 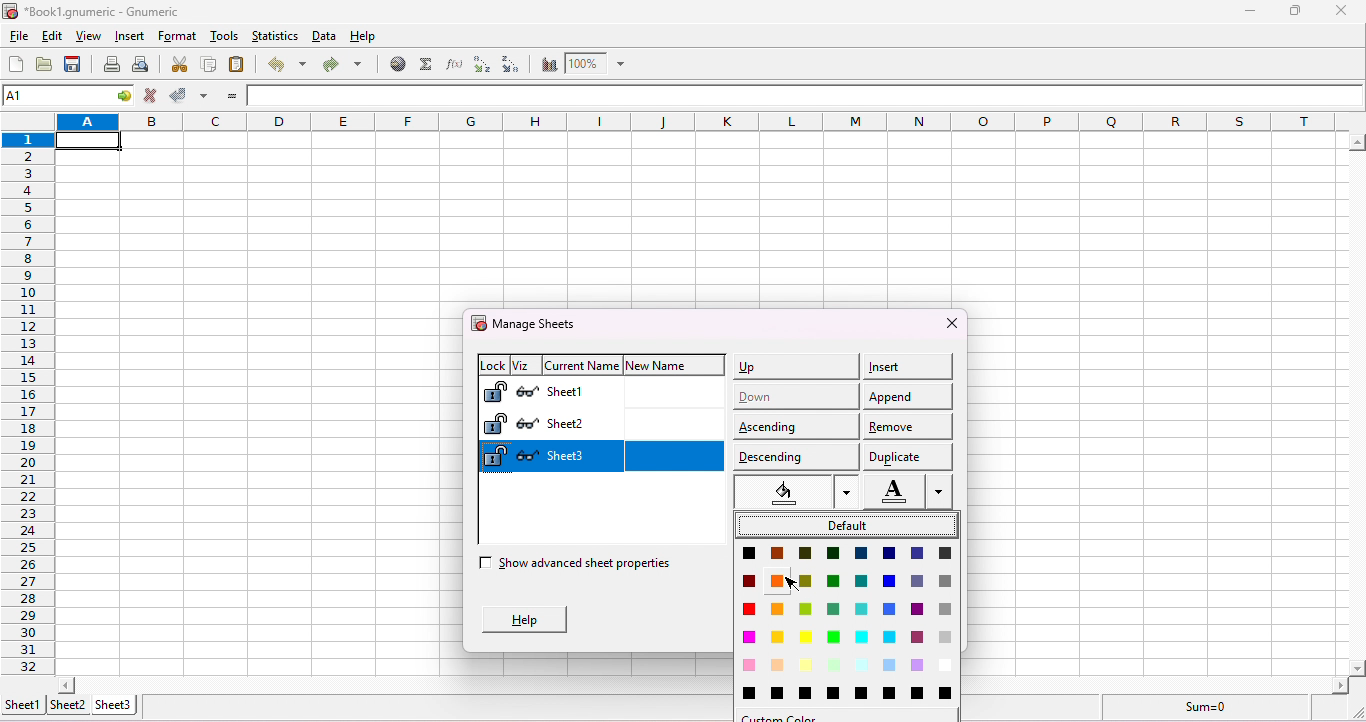 I want to click on *Book1.gnumeric - numeric, so click(x=99, y=12).